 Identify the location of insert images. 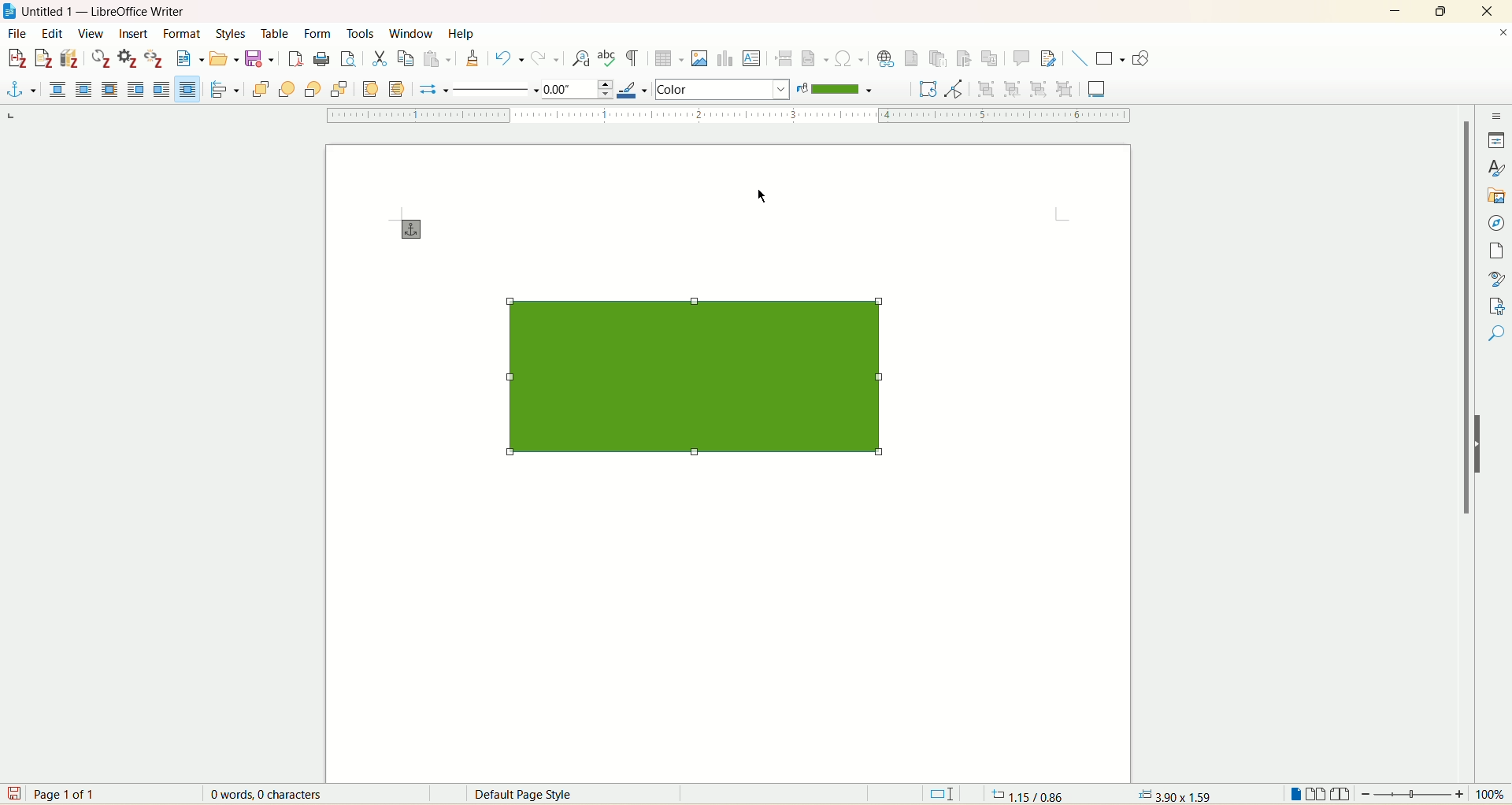
(701, 58).